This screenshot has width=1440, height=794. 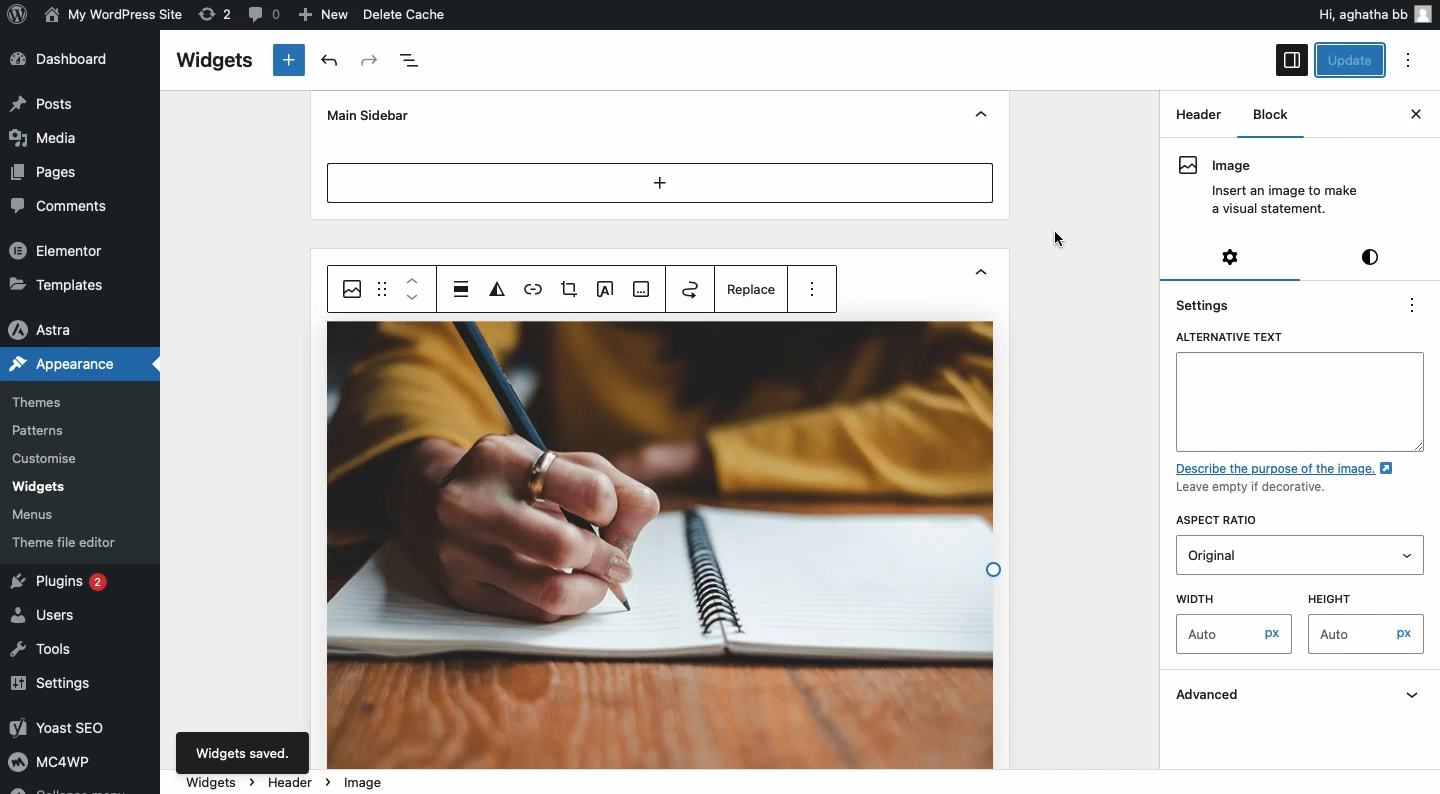 I want to click on Pages, so click(x=47, y=173).